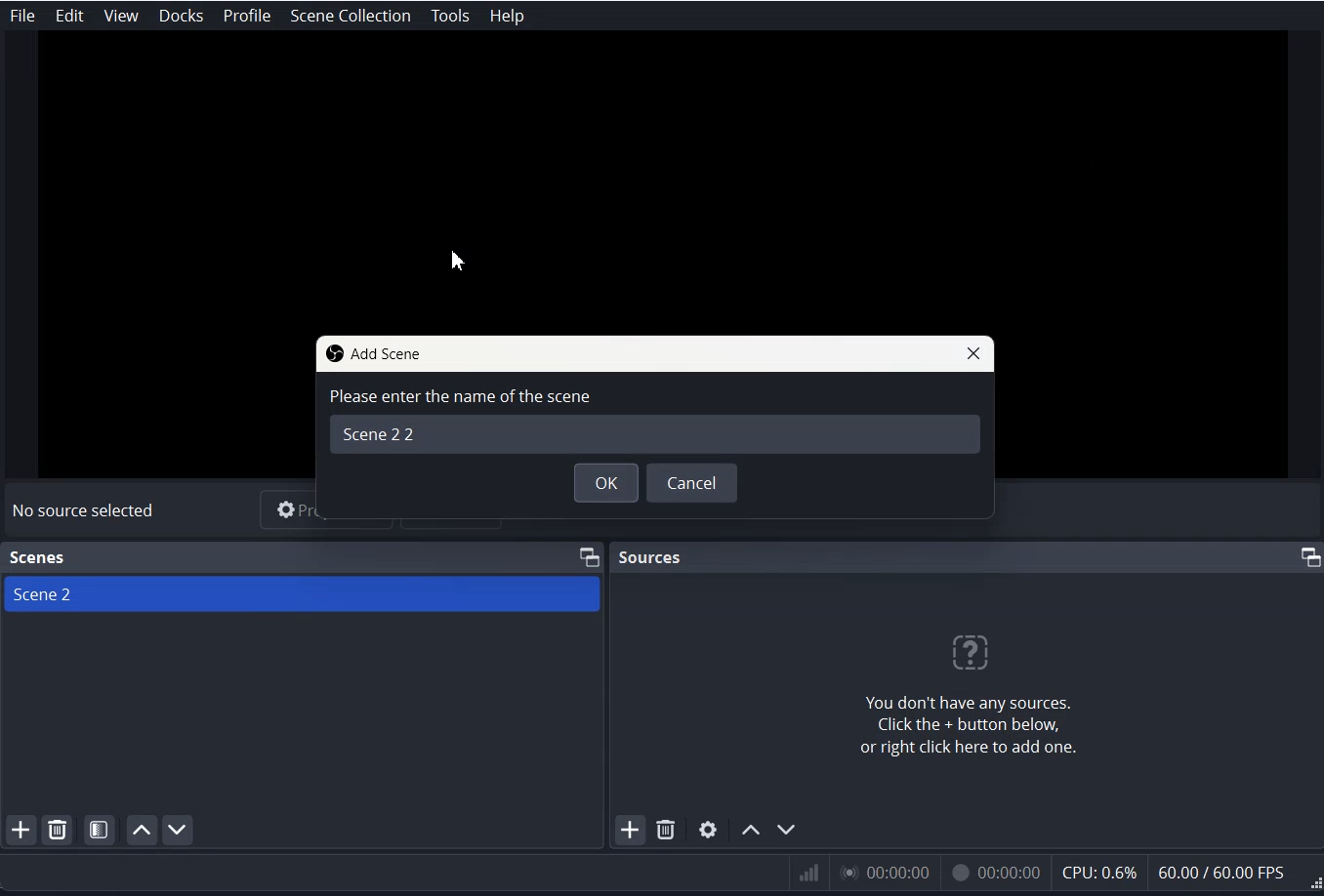 This screenshot has height=896, width=1324. I want to click on Enter the name of the scene, so click(660, 418).